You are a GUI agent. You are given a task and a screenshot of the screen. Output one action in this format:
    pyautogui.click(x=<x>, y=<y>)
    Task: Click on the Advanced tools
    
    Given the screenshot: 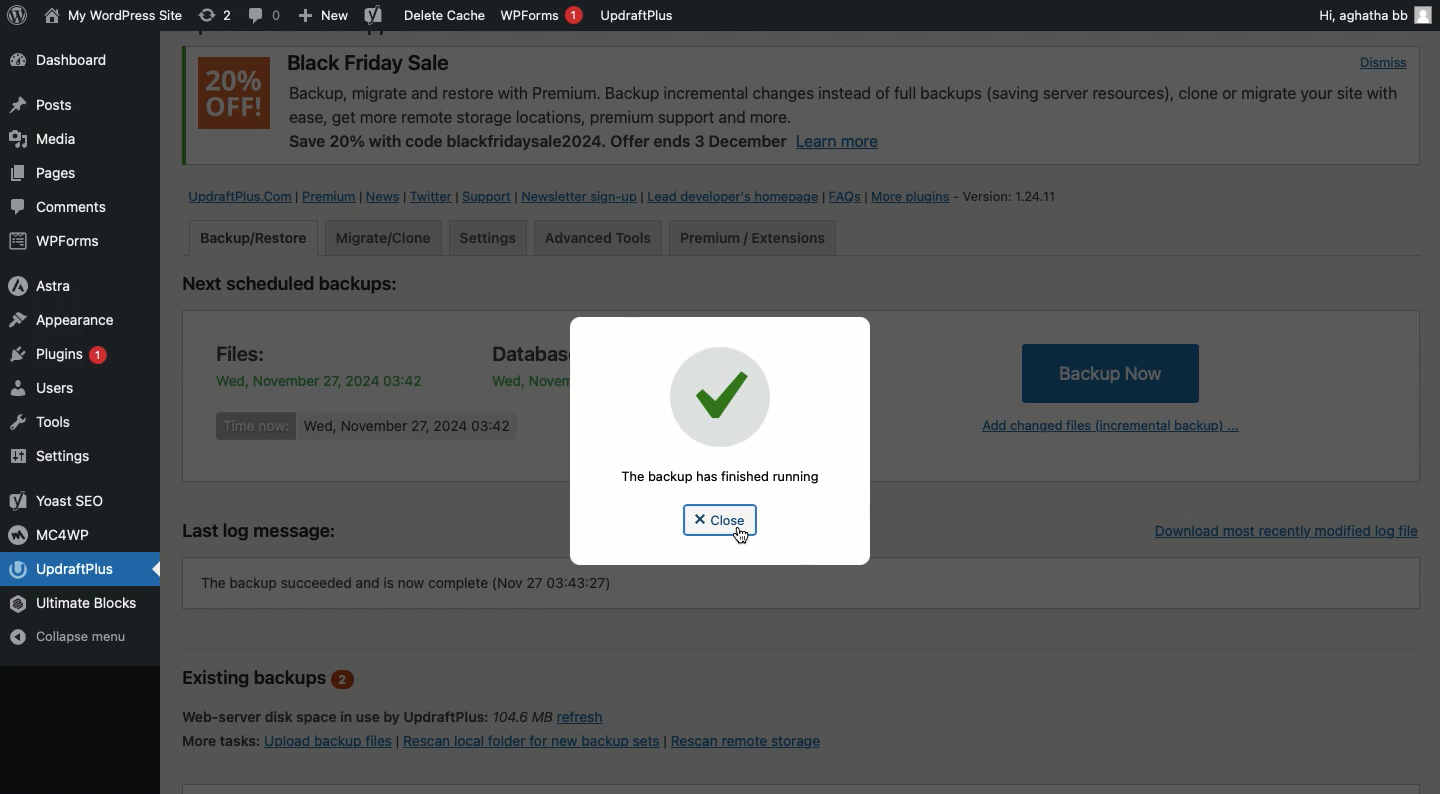 What is the action you would take?
    pyautogui.click(x=595, y=238)
    